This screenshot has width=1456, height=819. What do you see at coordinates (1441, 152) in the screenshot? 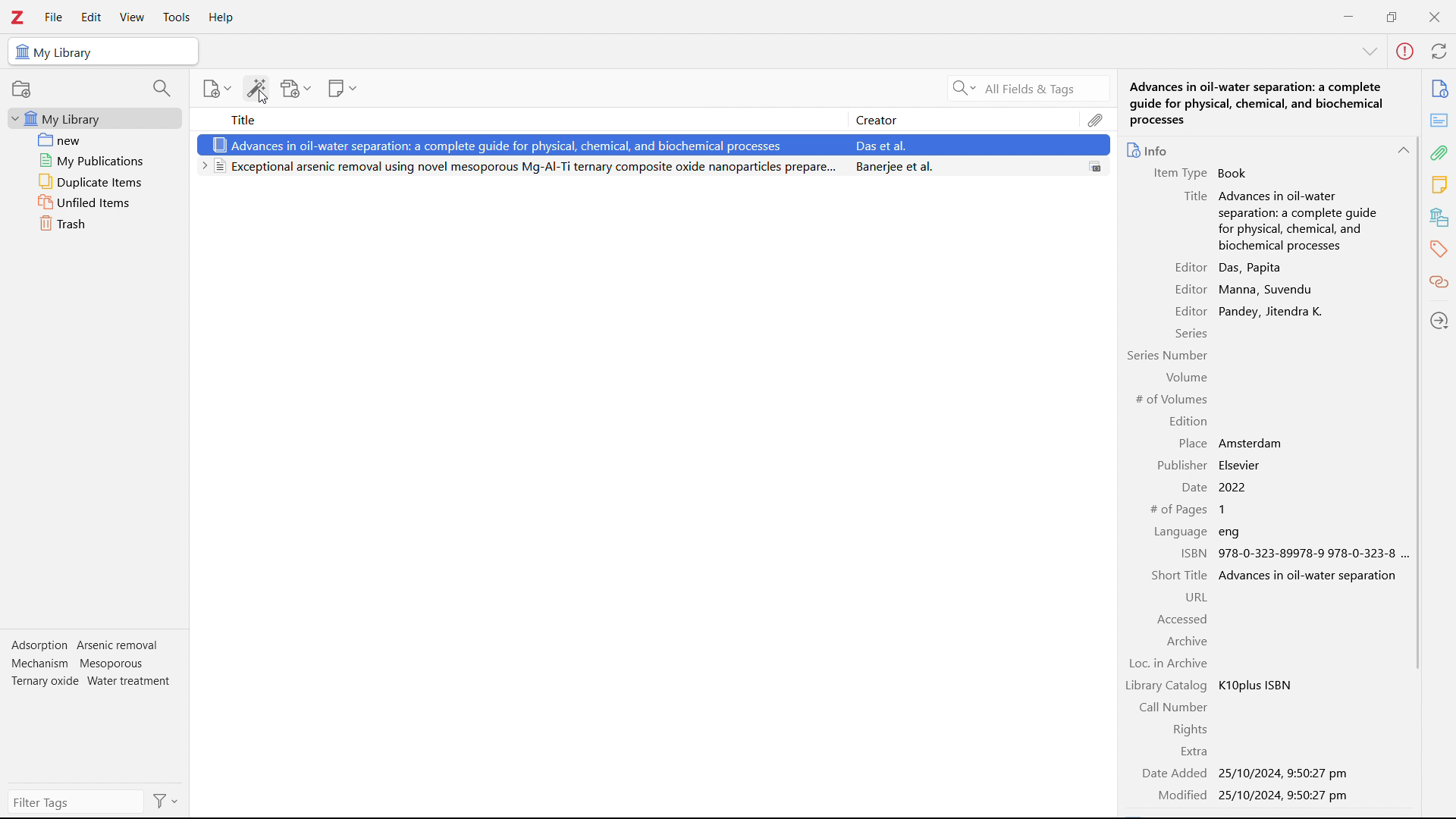
I see `attachments` at bounding box center [1441, 152].